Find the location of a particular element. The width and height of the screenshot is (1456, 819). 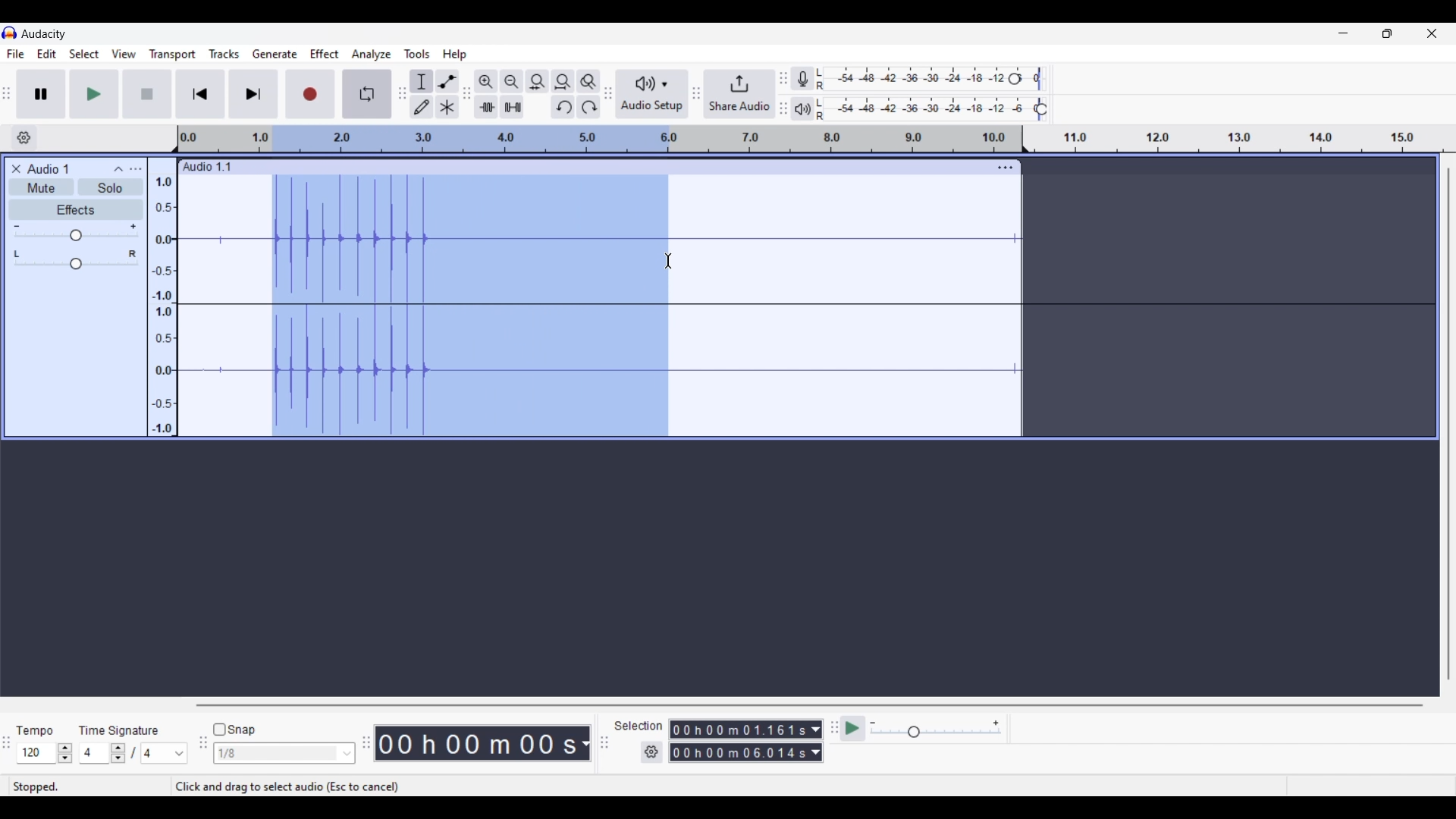

Zoom toggle is located at coordinates (588, 81).